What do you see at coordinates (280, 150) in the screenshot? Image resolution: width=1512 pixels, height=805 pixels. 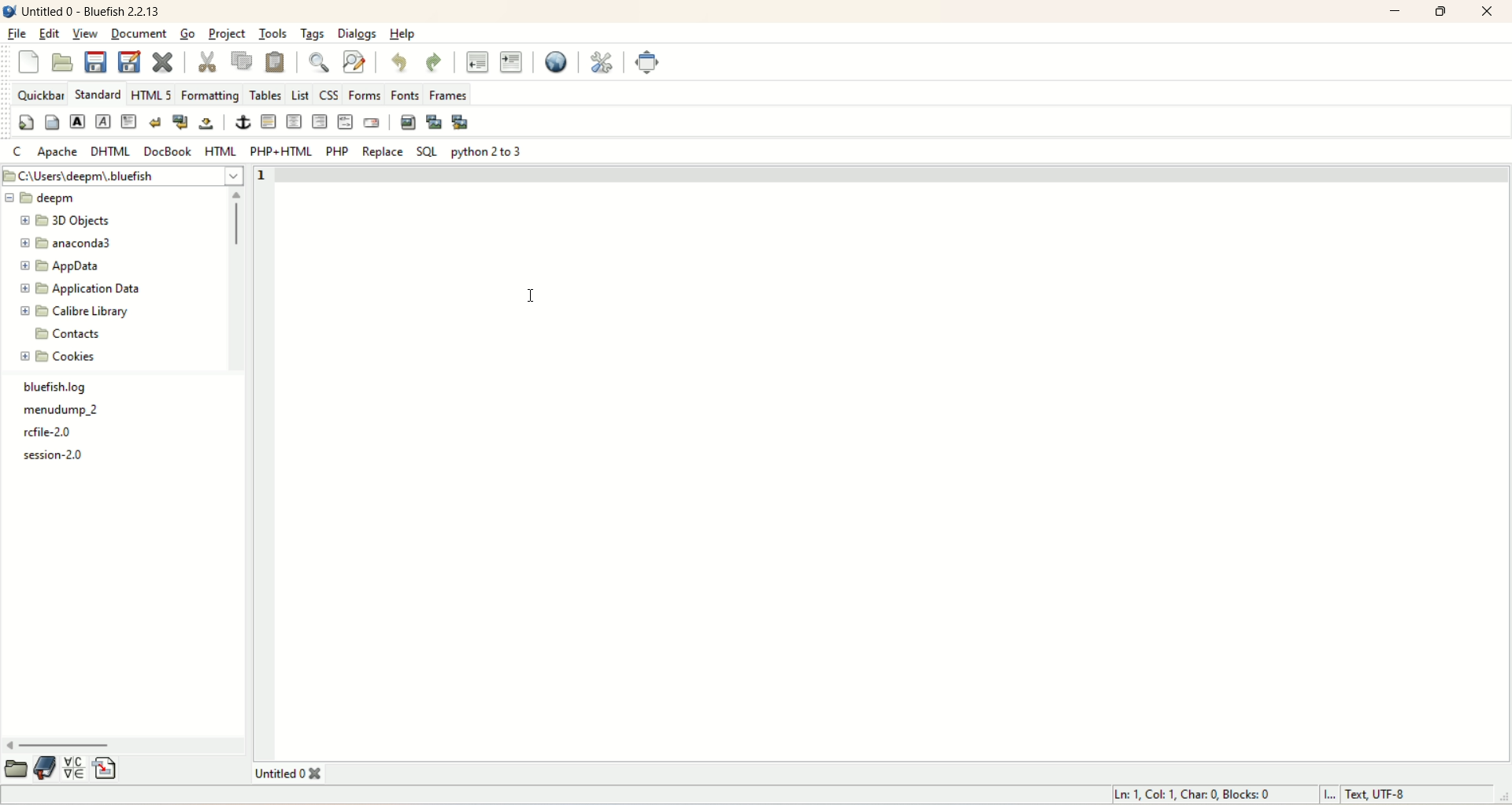 I see `PHP+HTML` at bounding box center [280, 150].